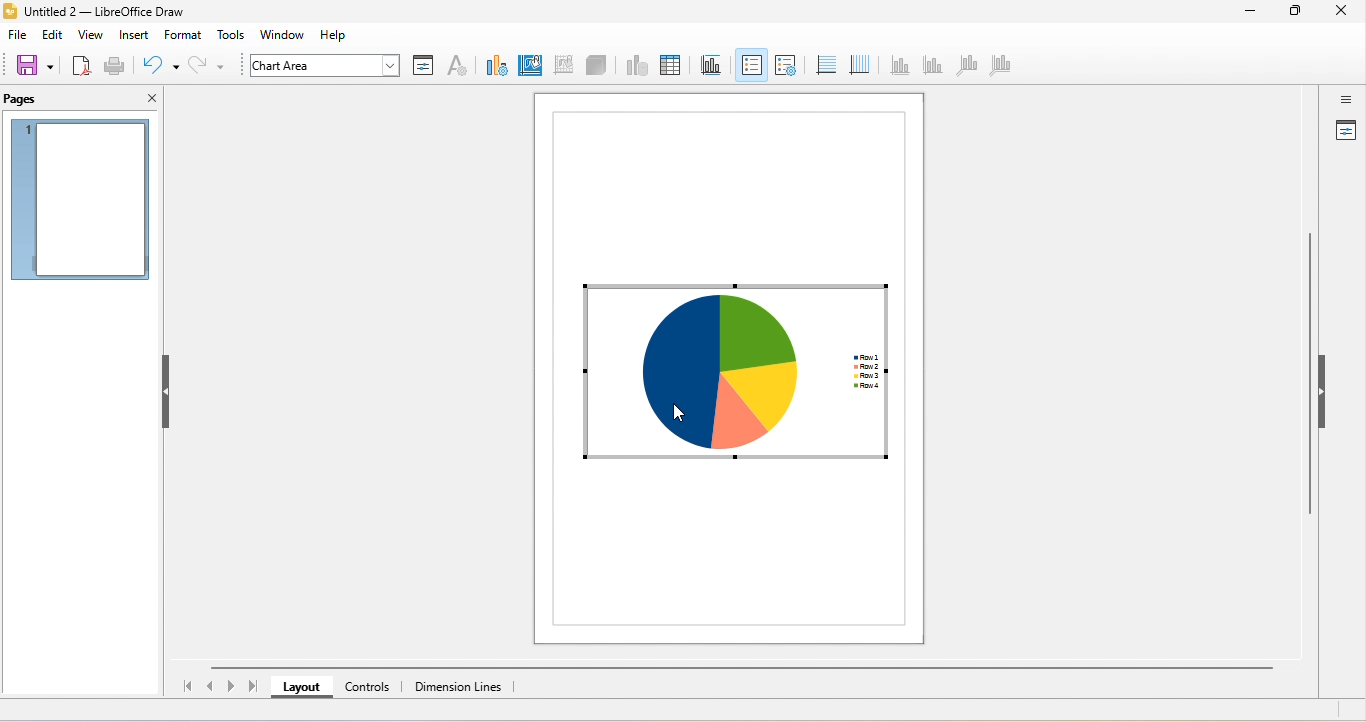  Describe the element at coordinates (1345, 132) in the screenshot. I see `properties` at that location.